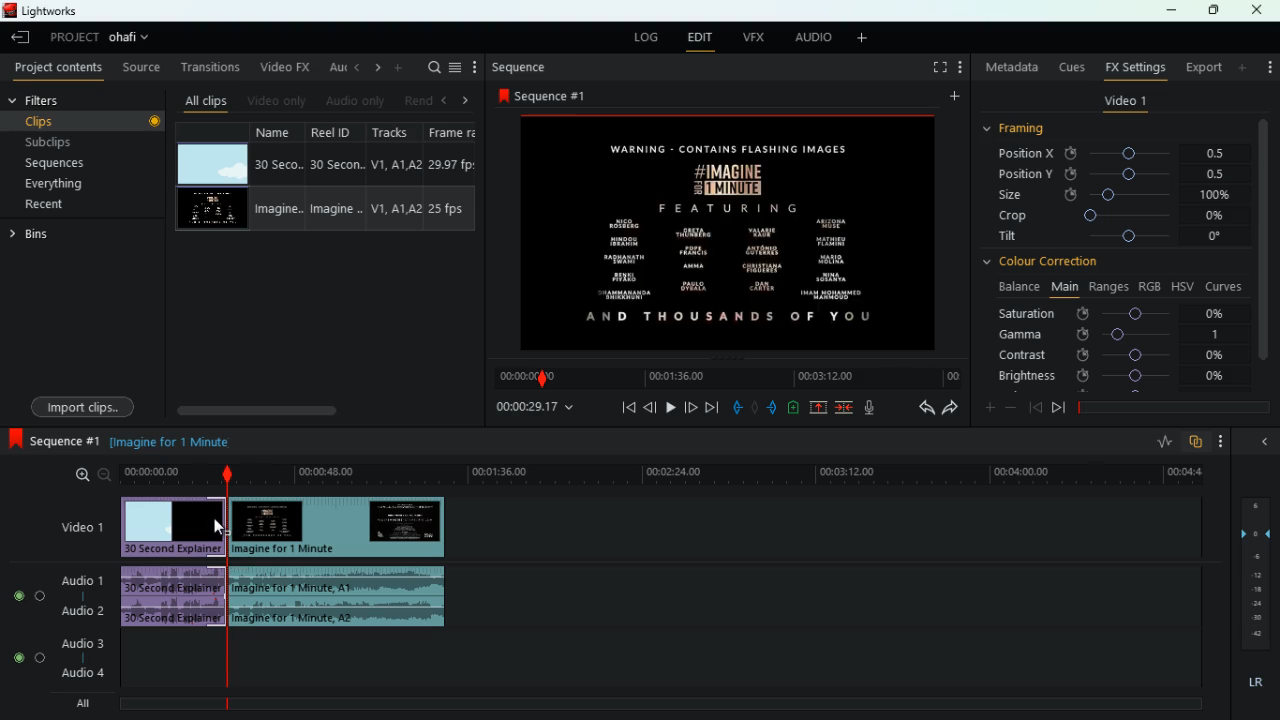  I want to click on all, so click(90, 703).